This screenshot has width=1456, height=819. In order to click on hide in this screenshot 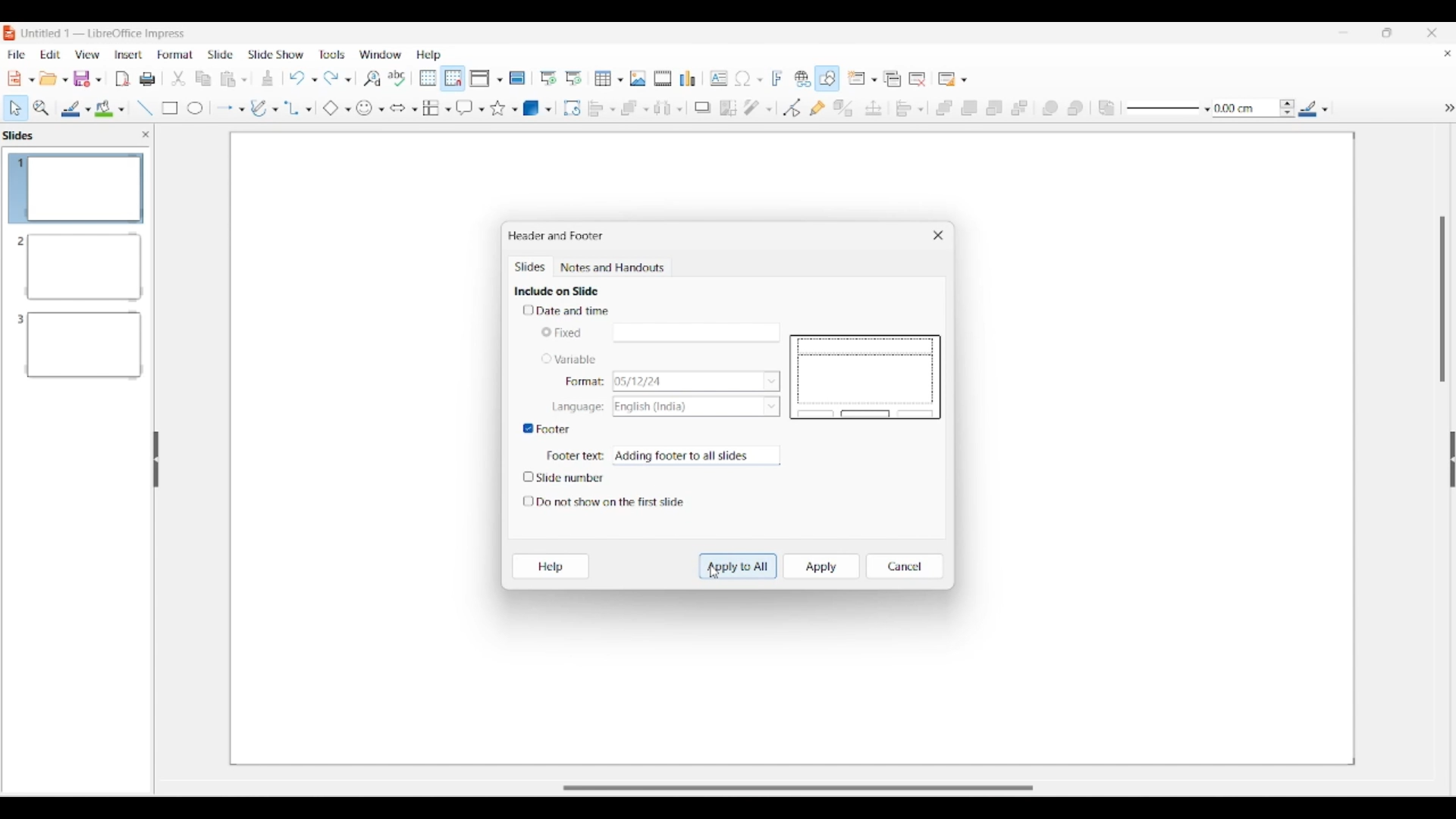, I will do `click(1444, 108)`.